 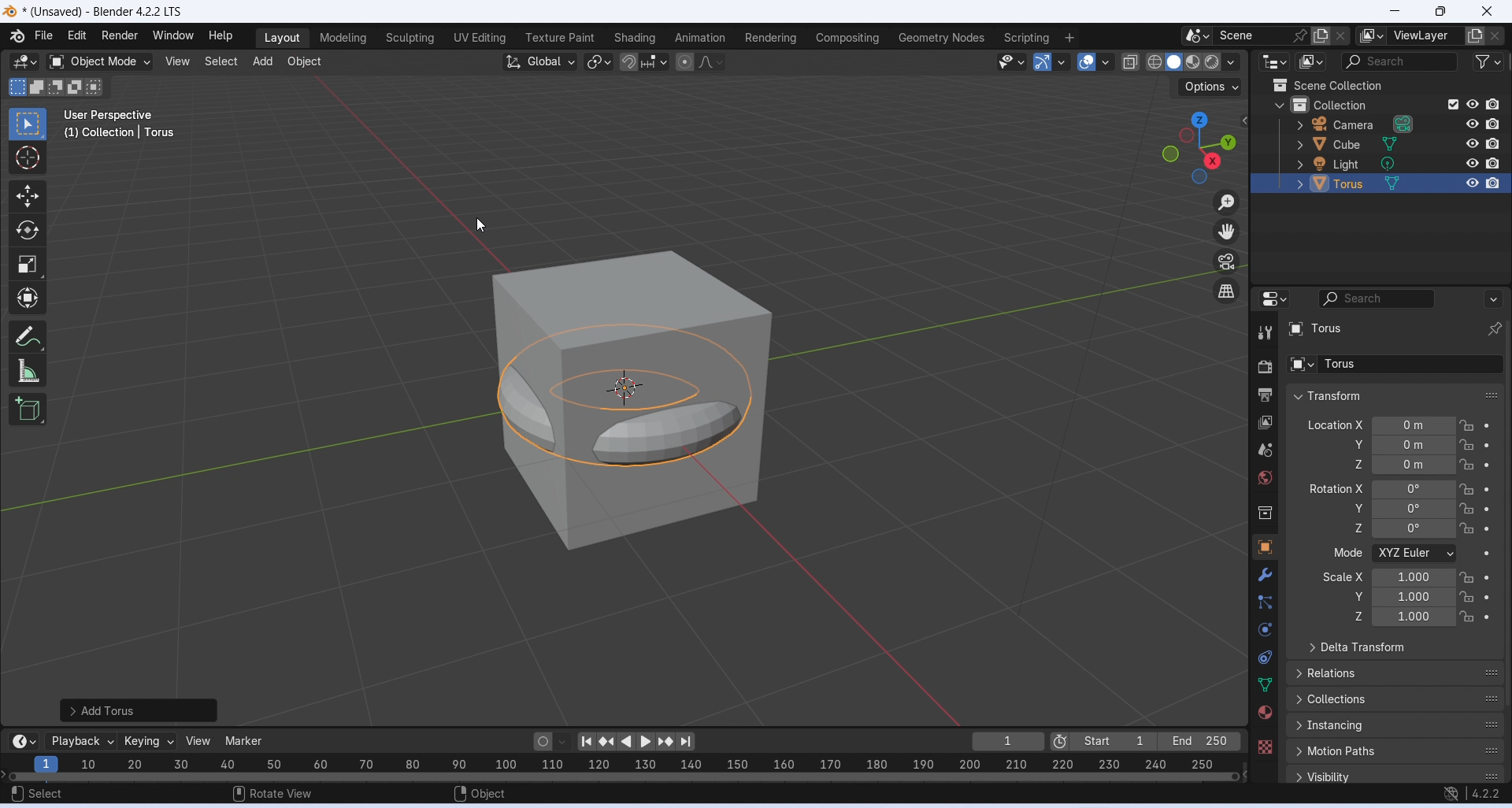 What do you see at coordinates (584, 740) in the screenshot?
I see `Jump to endpoint` at bounding box center [584, 740].